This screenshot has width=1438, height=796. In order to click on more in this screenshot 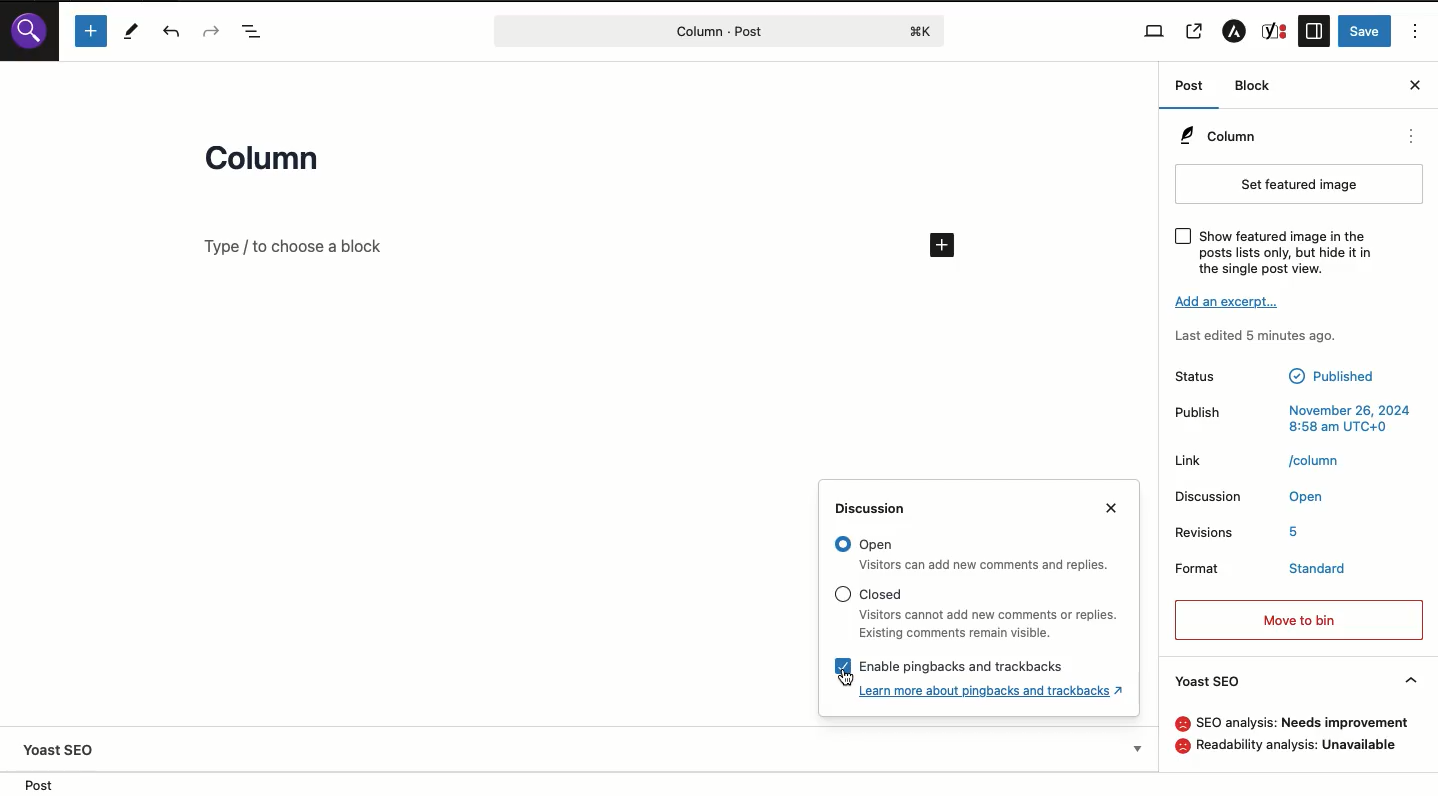, I will do `click(1412, 136)`.